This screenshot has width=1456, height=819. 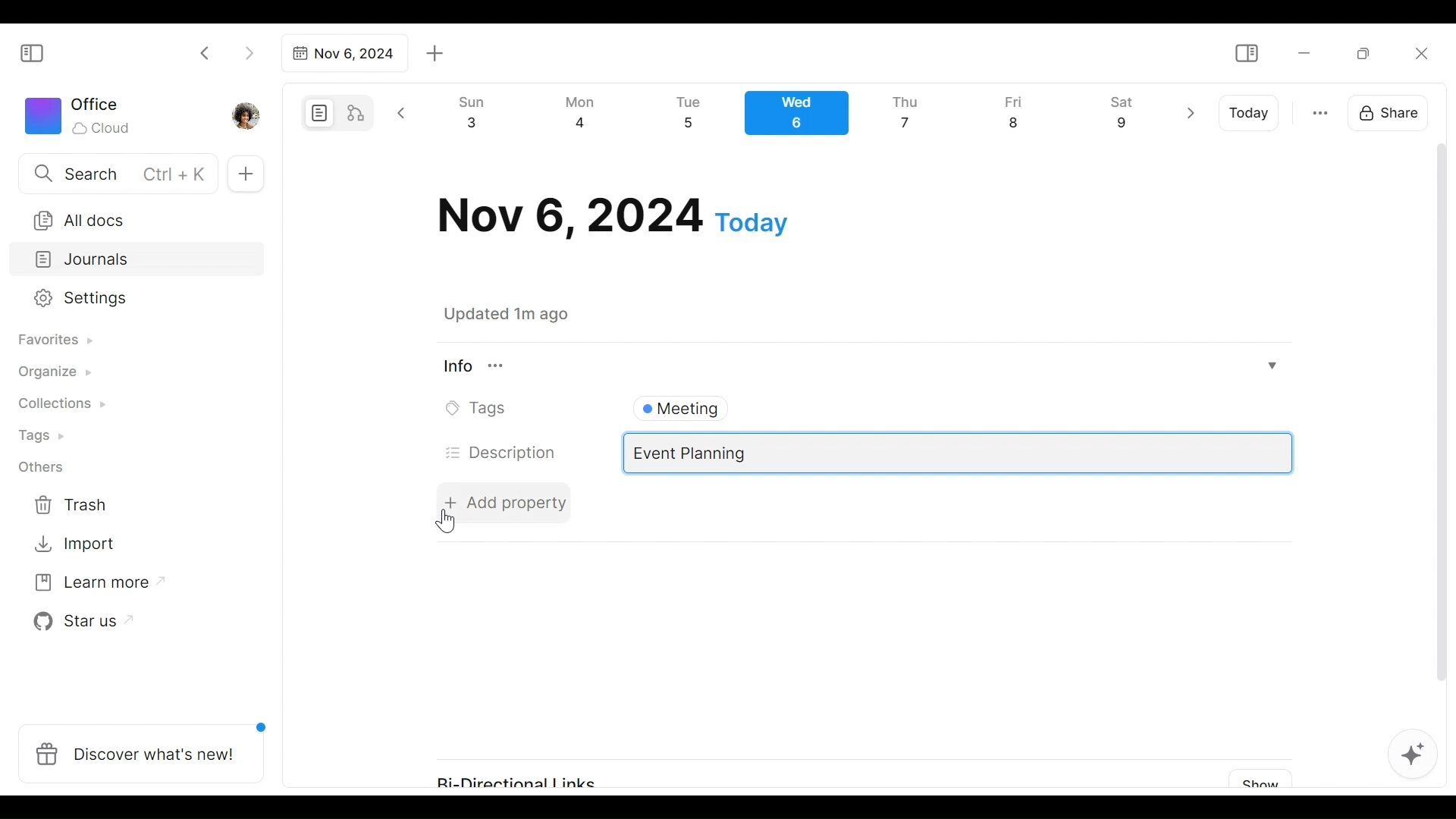 What do you see at coordinates (480, 409) in the screenshot?
I see `Tags` at bounding box center [480, 409].